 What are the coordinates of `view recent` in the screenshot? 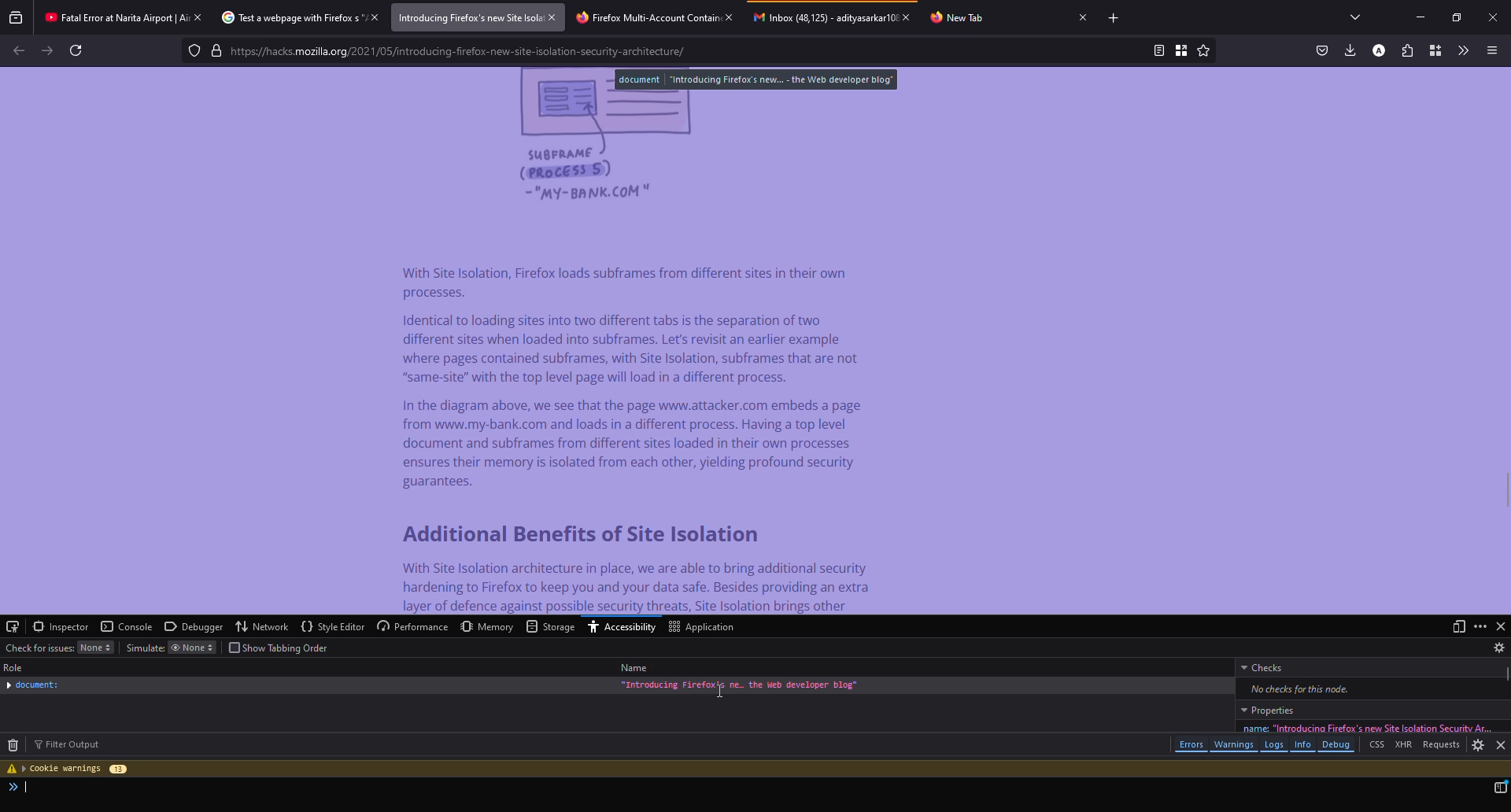 It's located at (16, 17).